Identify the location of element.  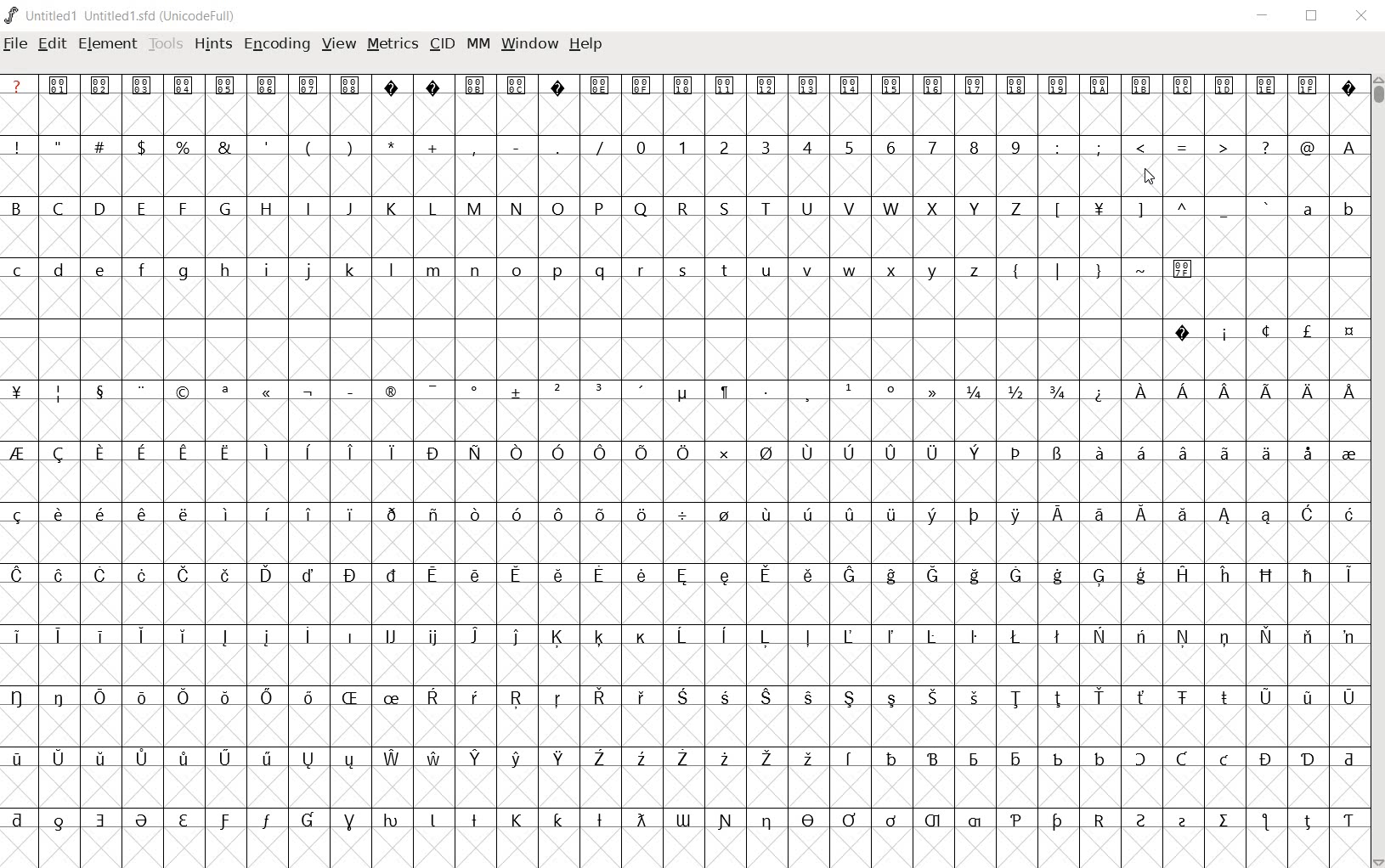
(108, 45).